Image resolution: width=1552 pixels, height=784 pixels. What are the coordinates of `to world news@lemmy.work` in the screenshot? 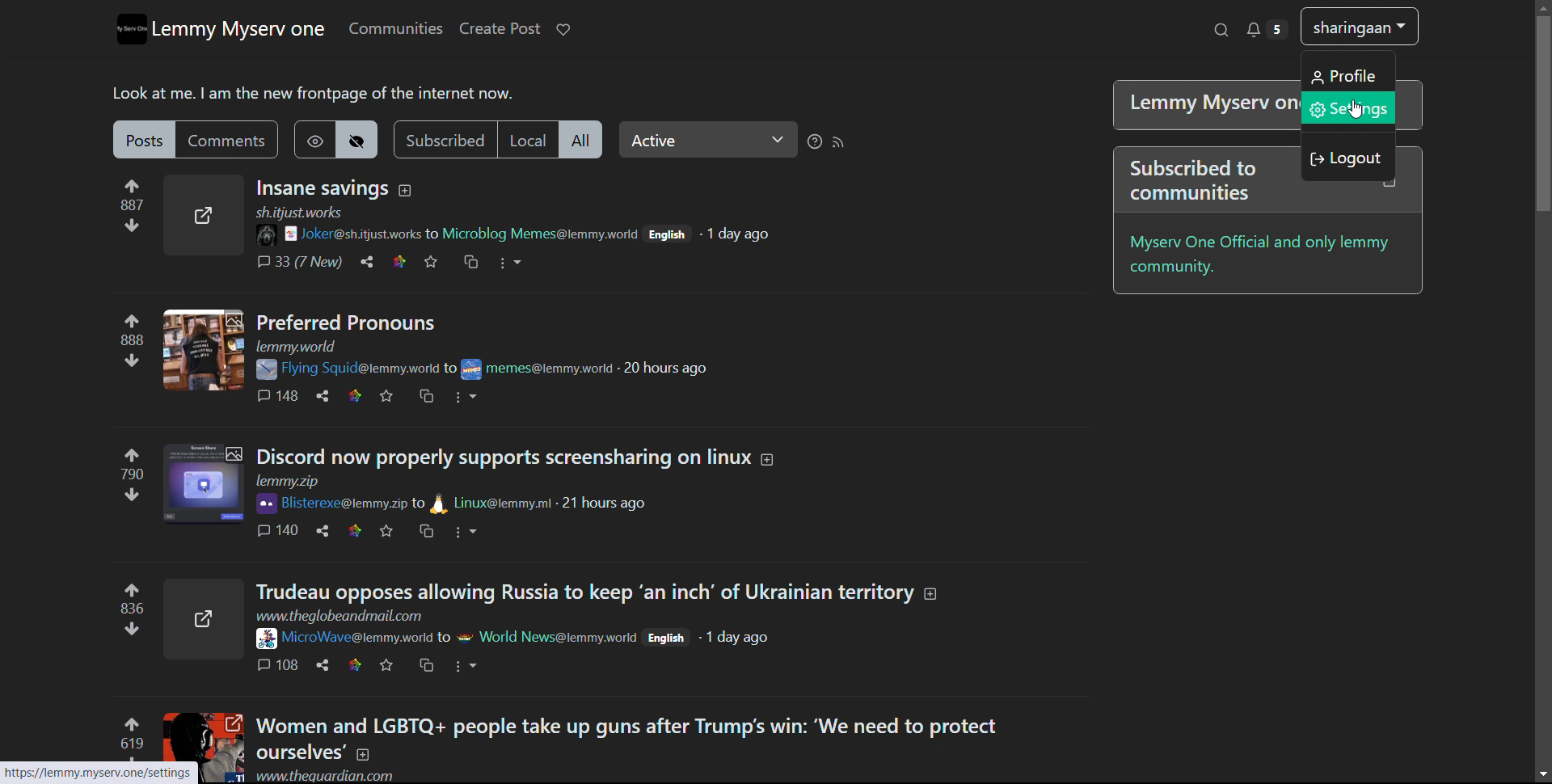 It's located at (537, 637).